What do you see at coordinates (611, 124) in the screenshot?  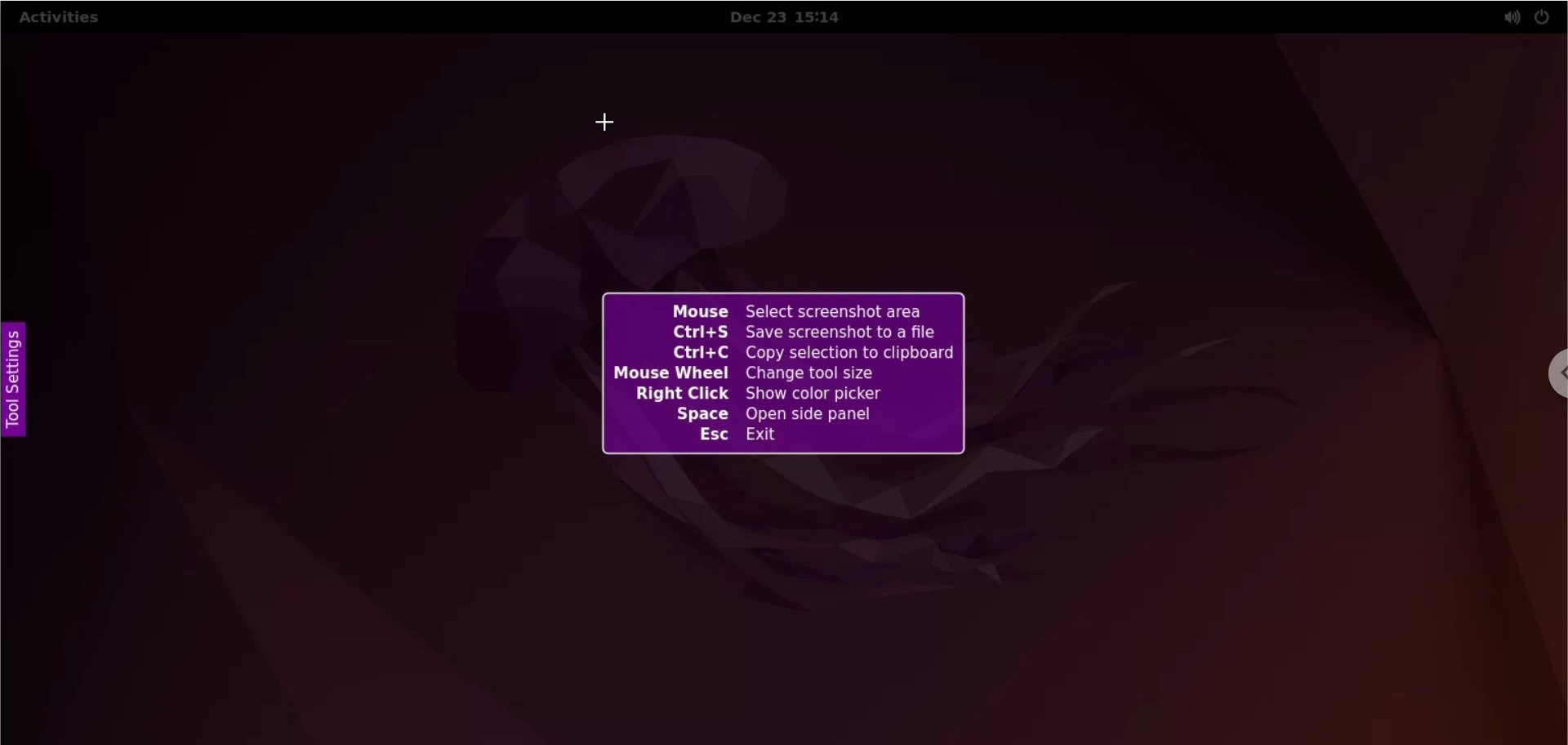 I see `cursor` at bounding box center [611, 124].